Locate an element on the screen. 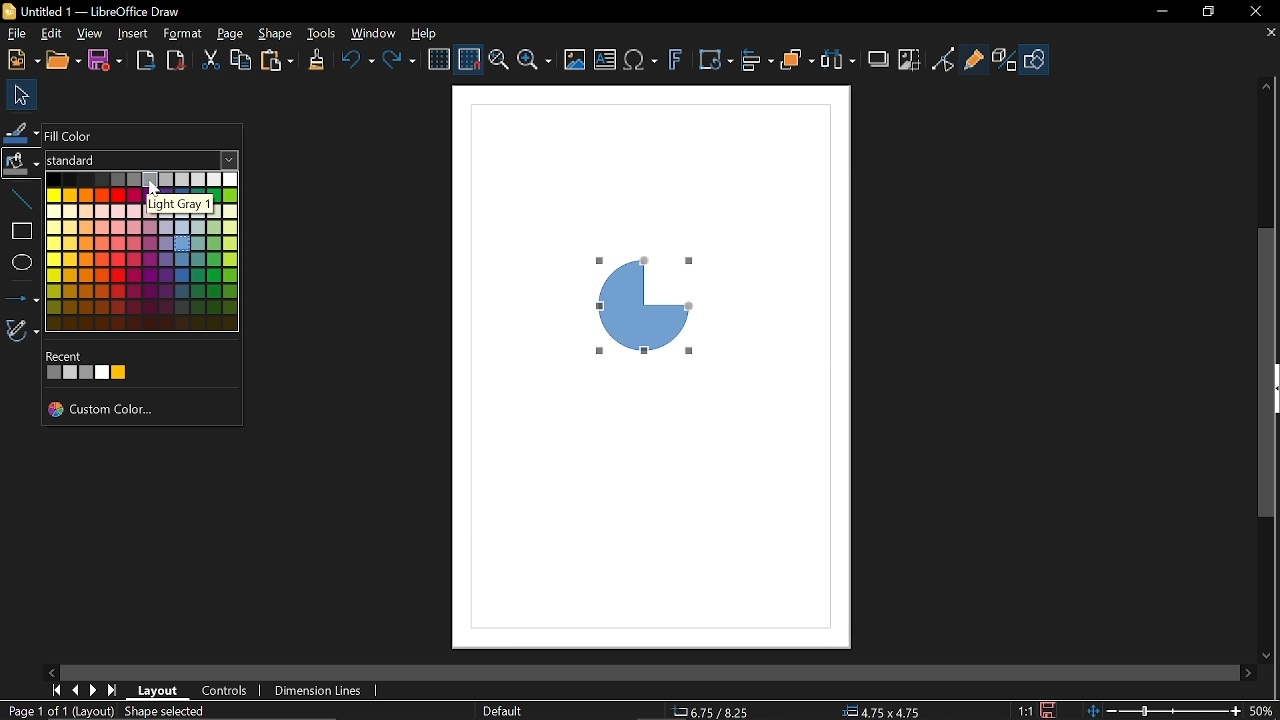 The image size is (1280, 720). Export is located at coordinates (142, 61).